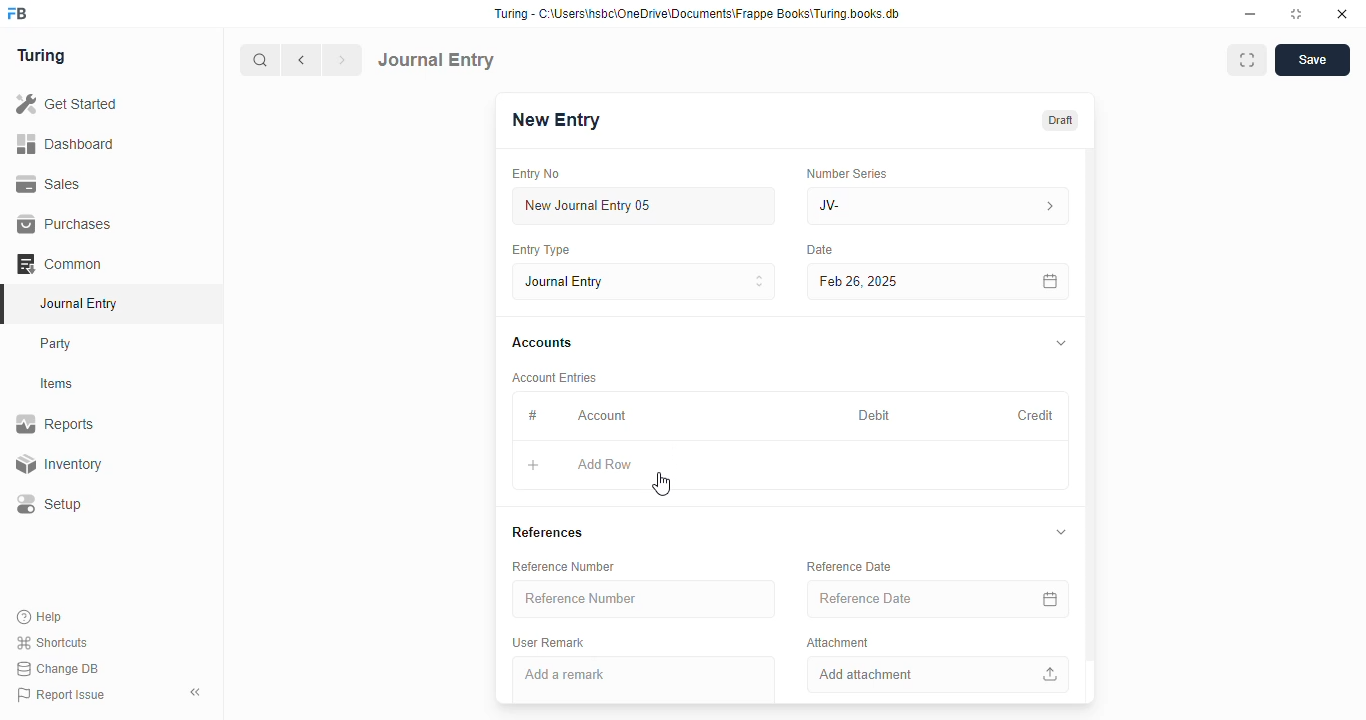 The width and height of the screenshot is (1366, 720). I want to click on credit, so click(1037, 415).